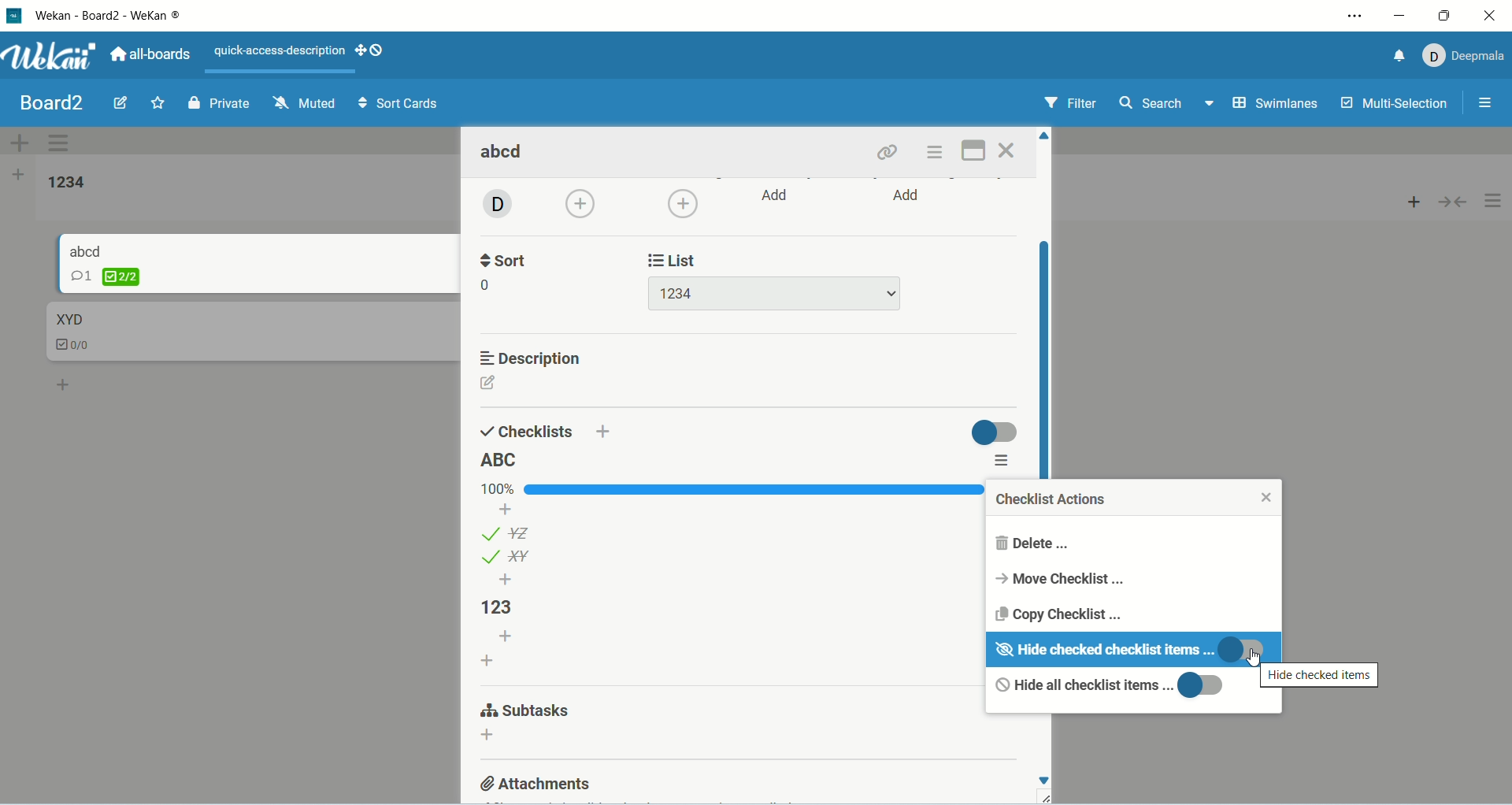 Image resolution: width=1512 pixels, height=805 pixels. What do you see at coordinates (48, 102) in the screenshot?
I see `board title` at bounding box center [48, 102].